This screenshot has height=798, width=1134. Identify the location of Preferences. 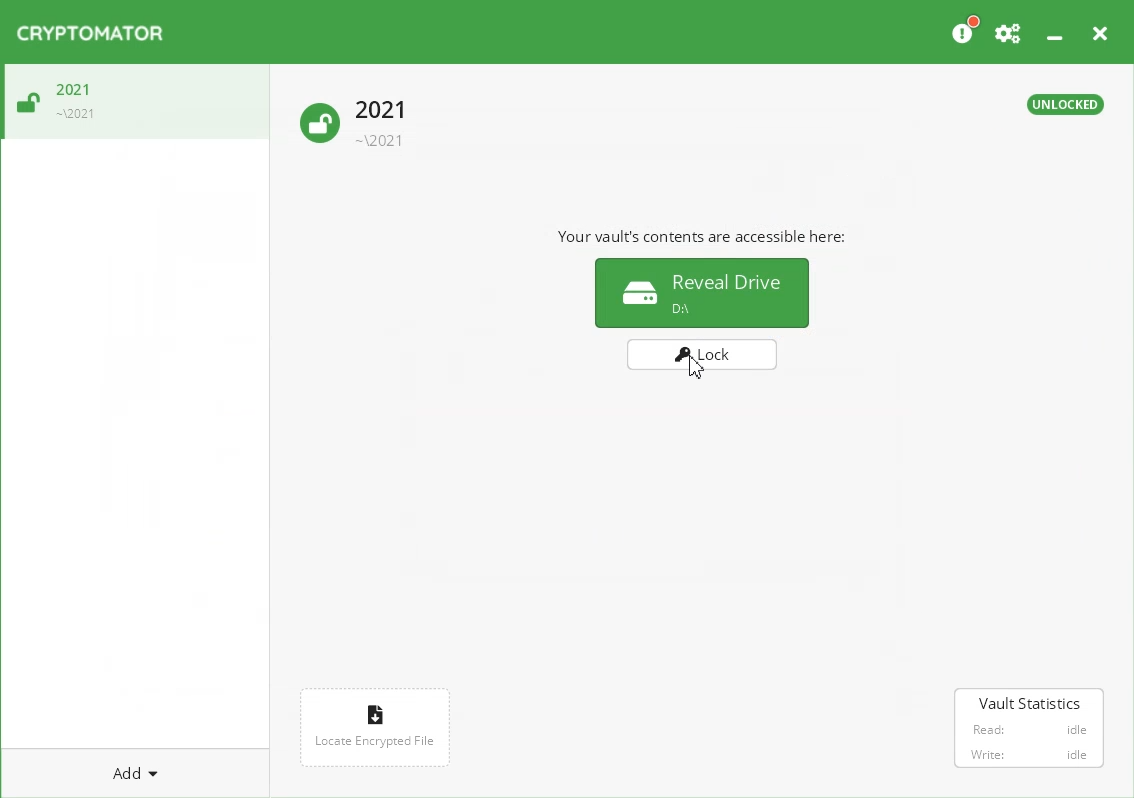
(1009, 30).